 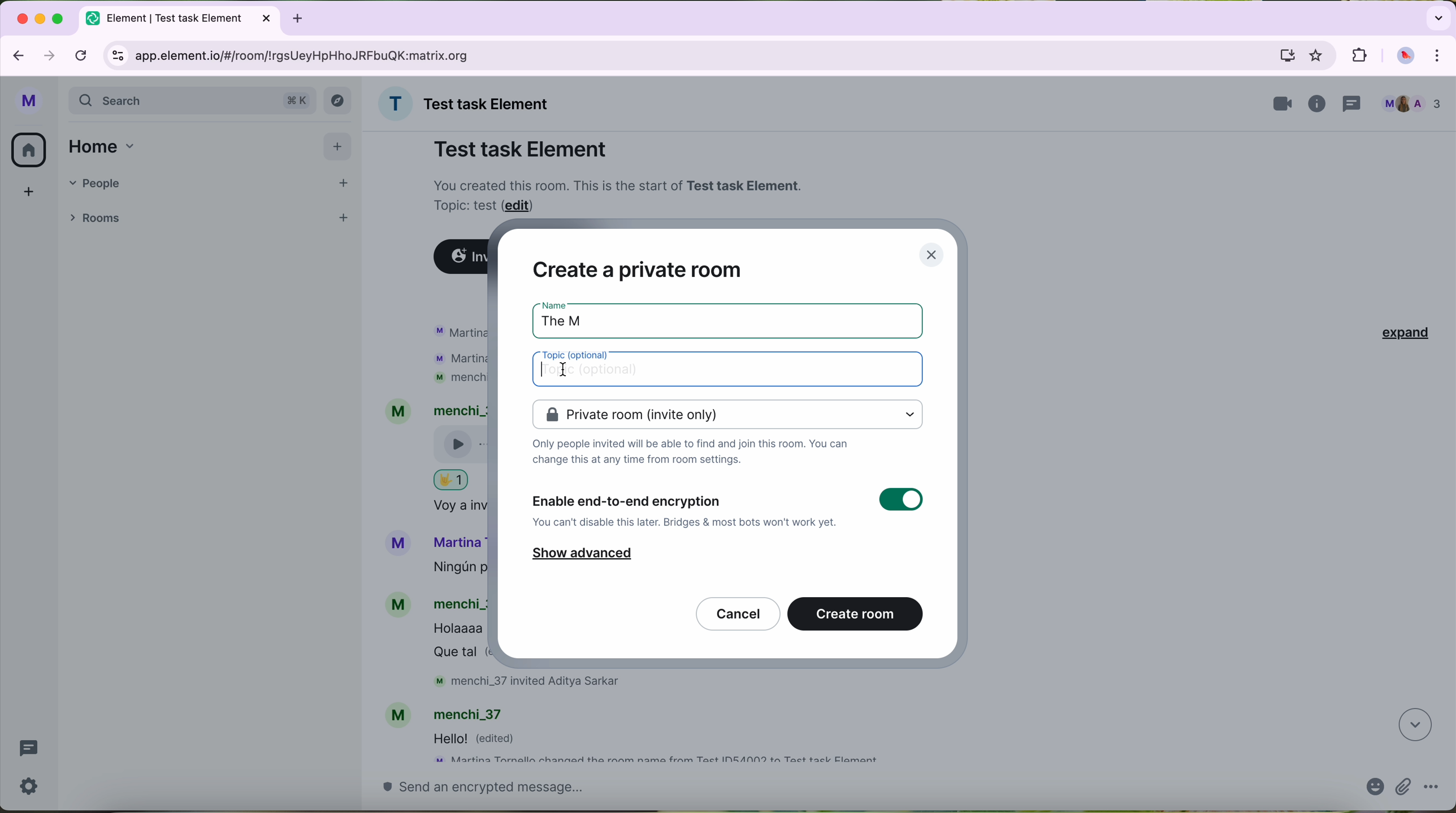 What do you see at coordinates (98, 216) in the screenshot?
I see `rooms tab` at bounding box center [98, 216].